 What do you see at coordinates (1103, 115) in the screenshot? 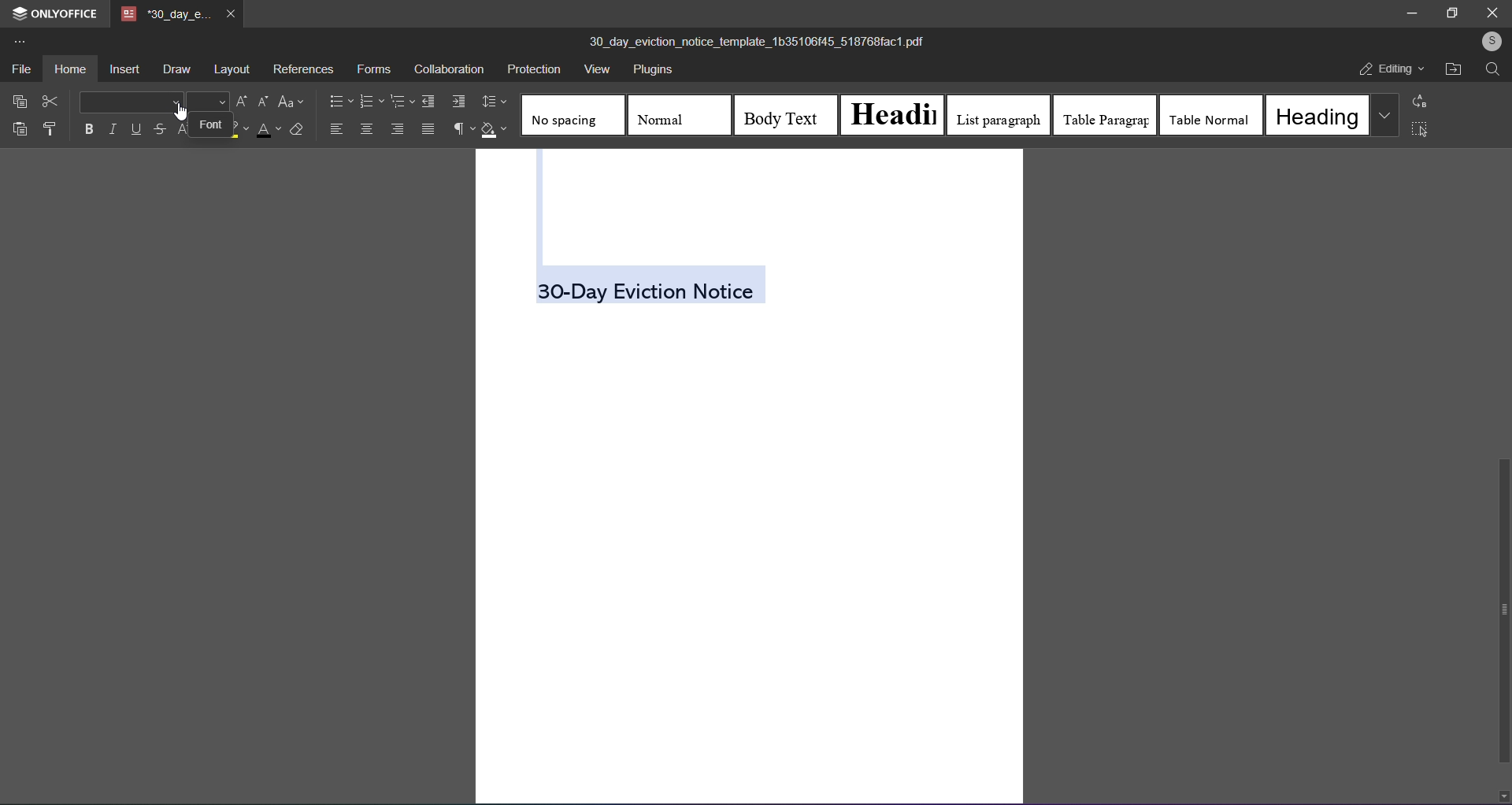
I see `table paragraph` at bounding box center [1103, 115].